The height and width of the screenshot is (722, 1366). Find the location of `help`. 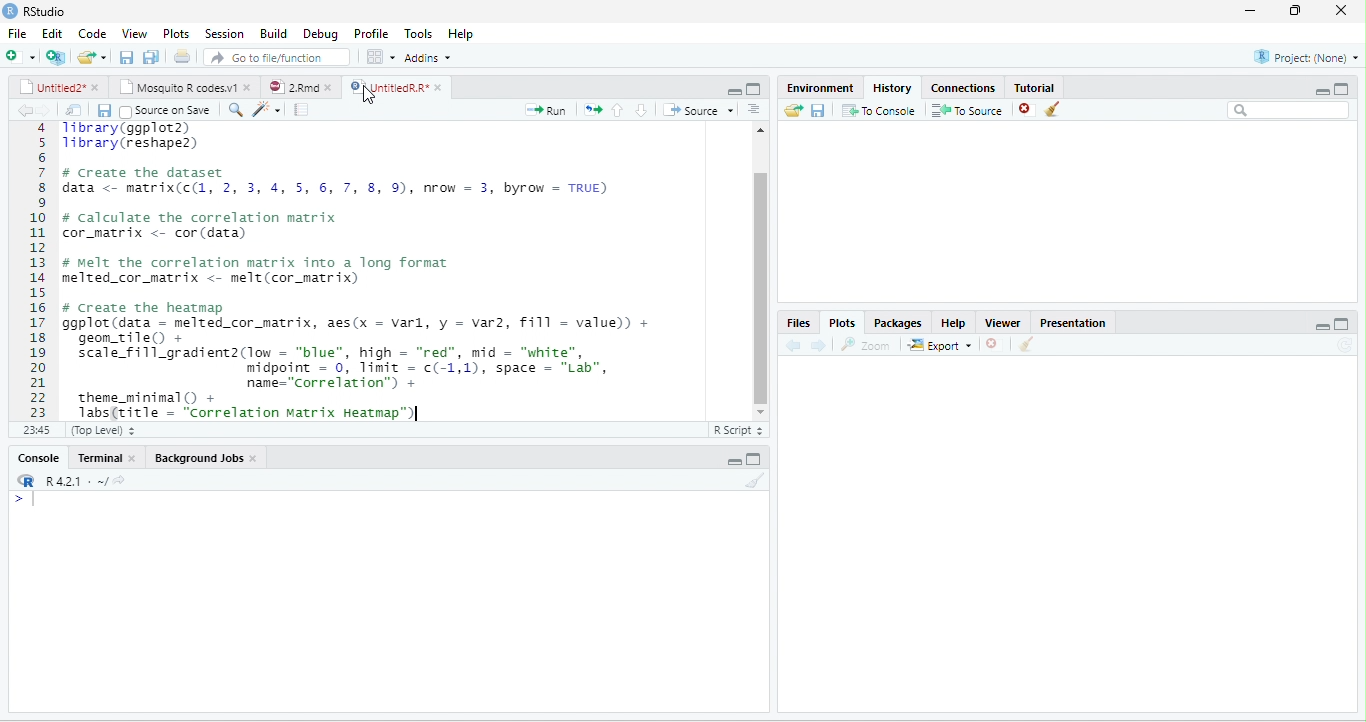

help is located at coordinates (951, 322).